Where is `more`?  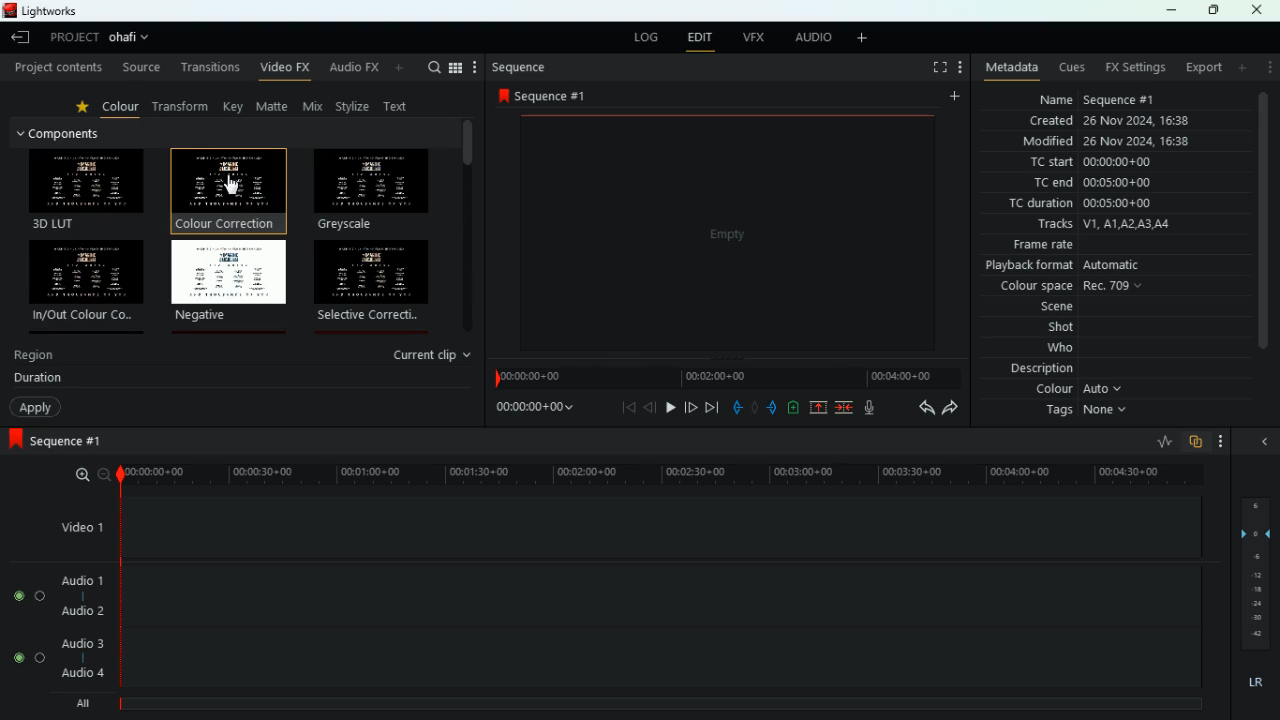
more is located at coordinates (1242, 68).